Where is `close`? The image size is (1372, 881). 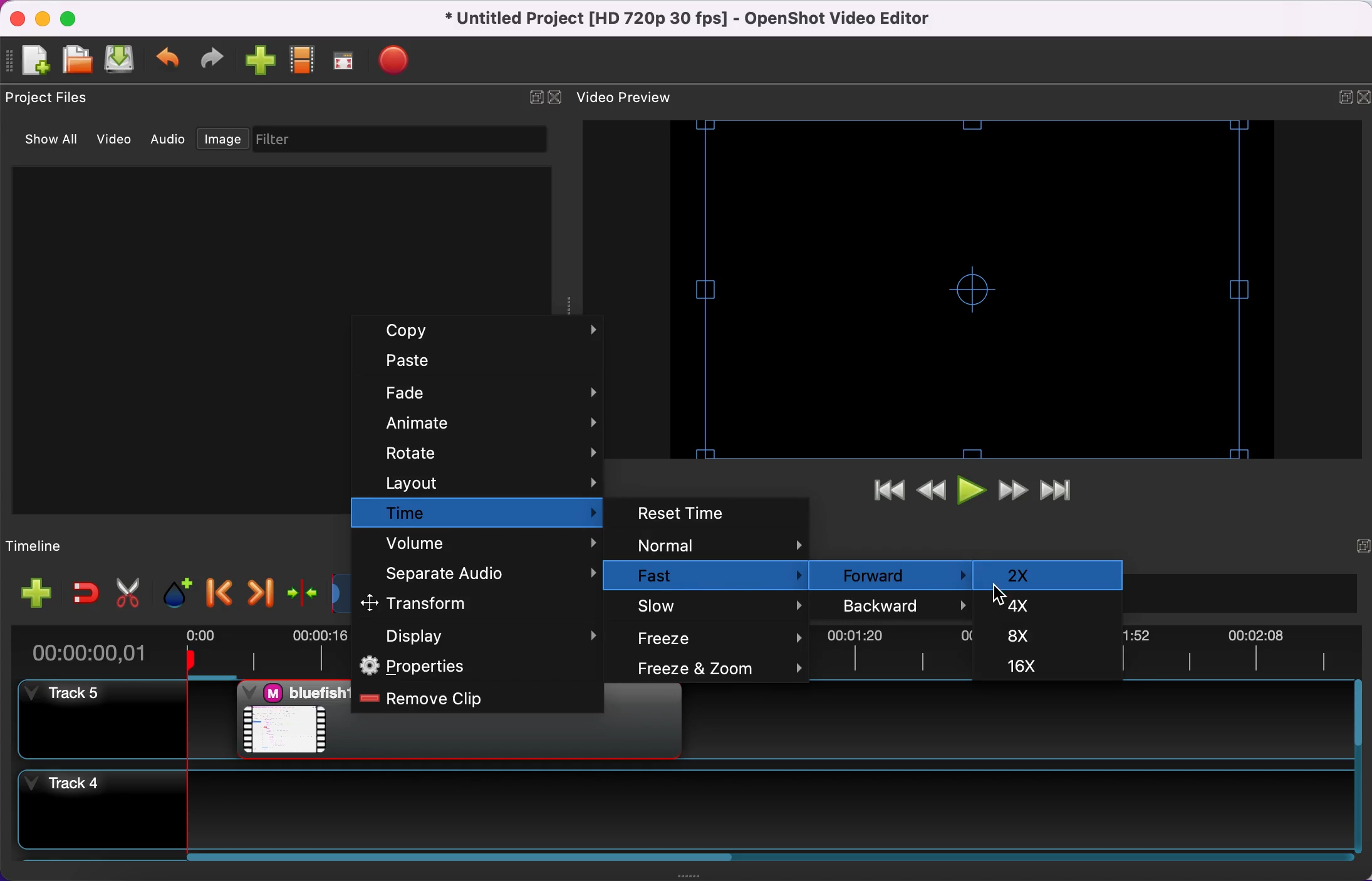
close is located at coordinates (18, 18).